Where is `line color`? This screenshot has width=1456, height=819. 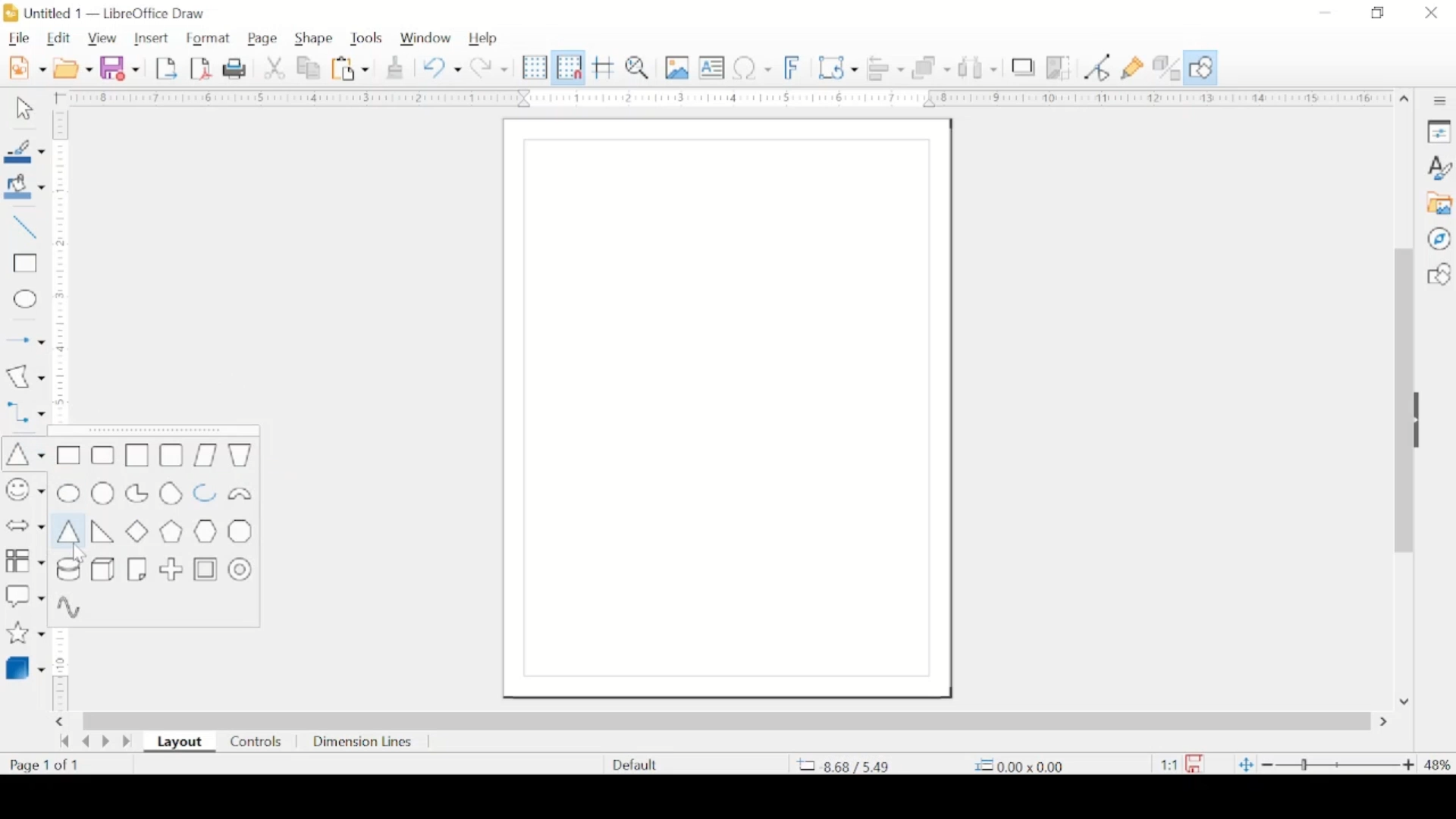
line color is located at coordinates (24, 151).